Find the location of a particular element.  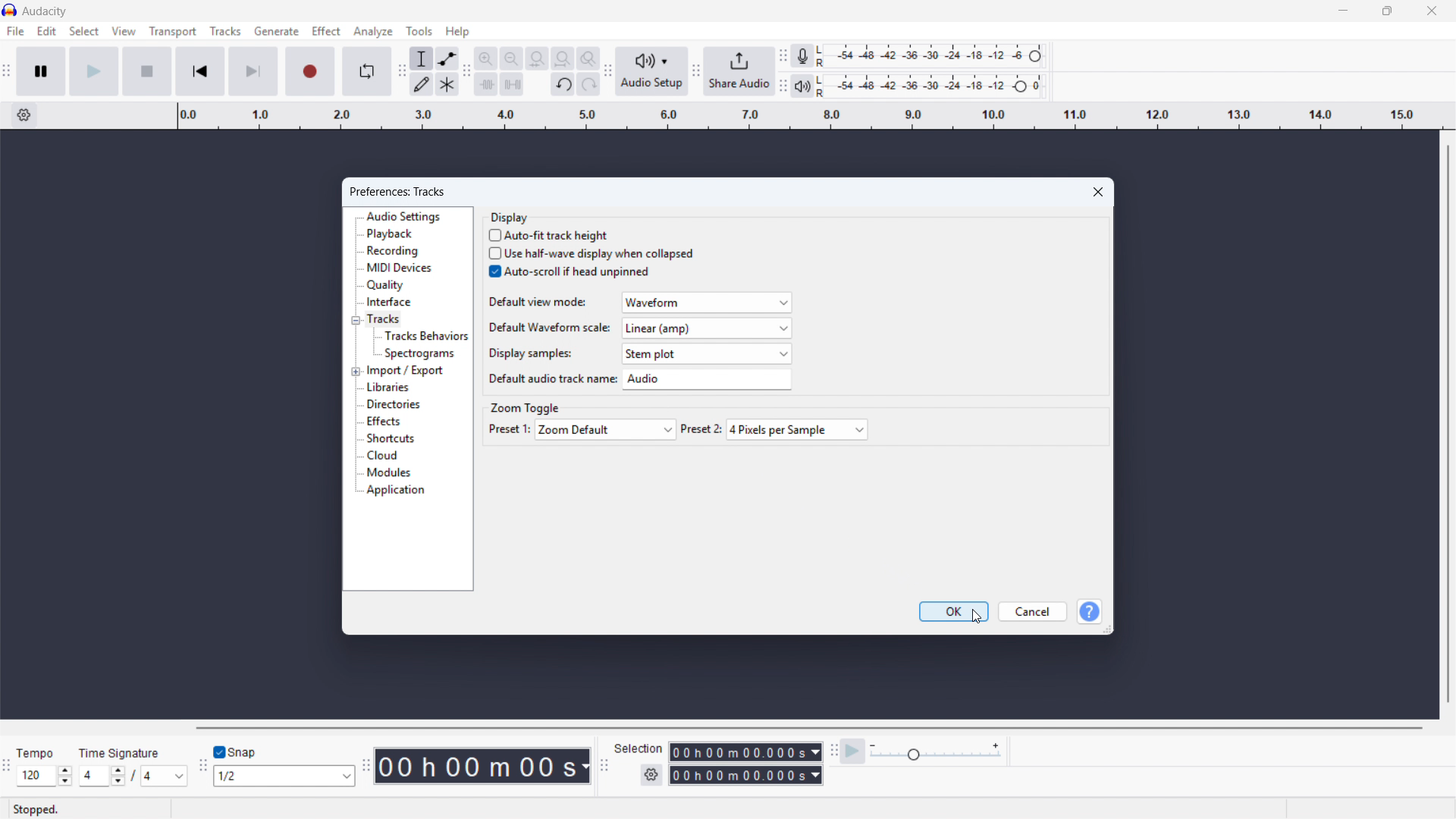

set preset 2 is located at coordinates (775, 430).